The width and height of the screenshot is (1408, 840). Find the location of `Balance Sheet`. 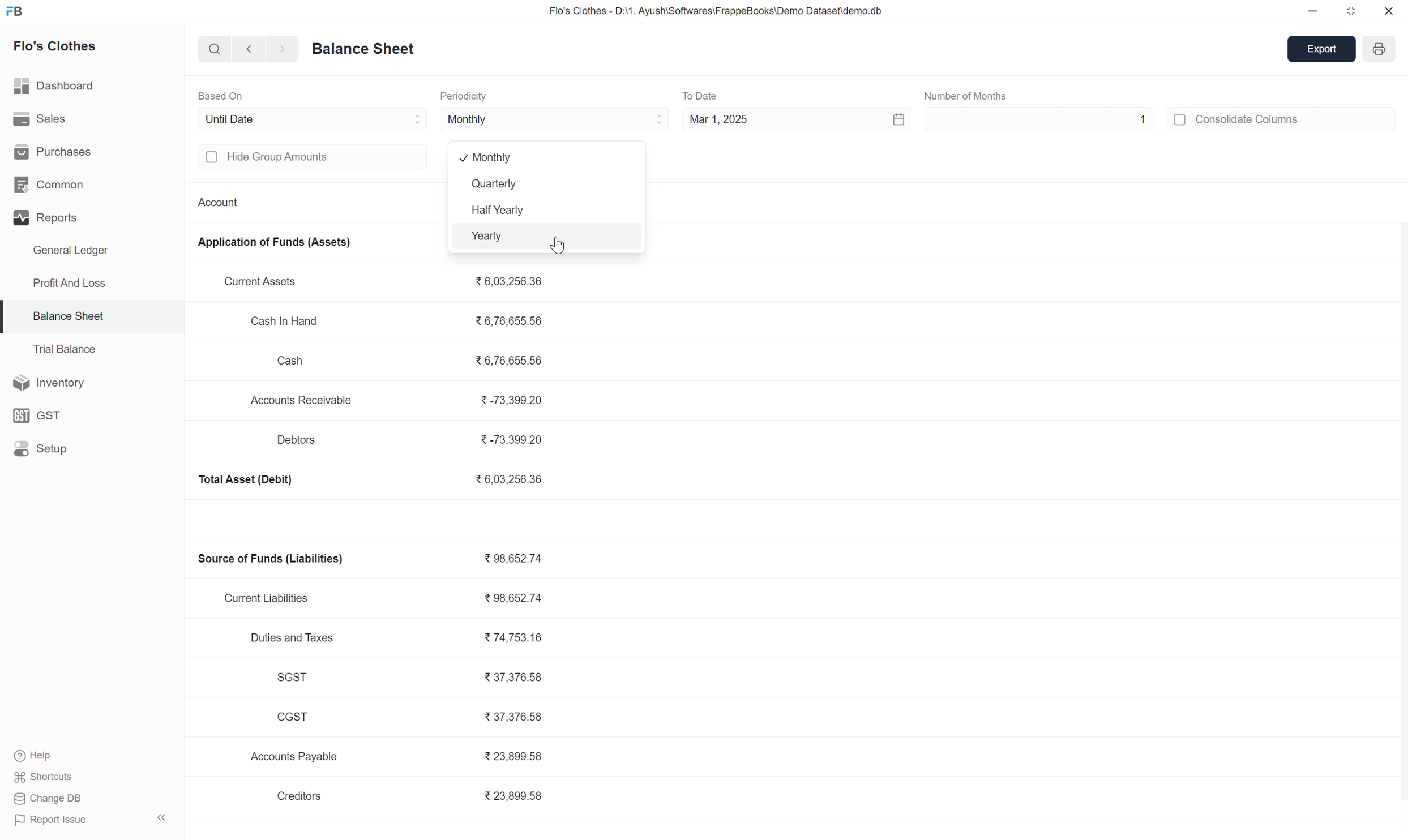

Balance Sheet is located at coordinates (74, 318).